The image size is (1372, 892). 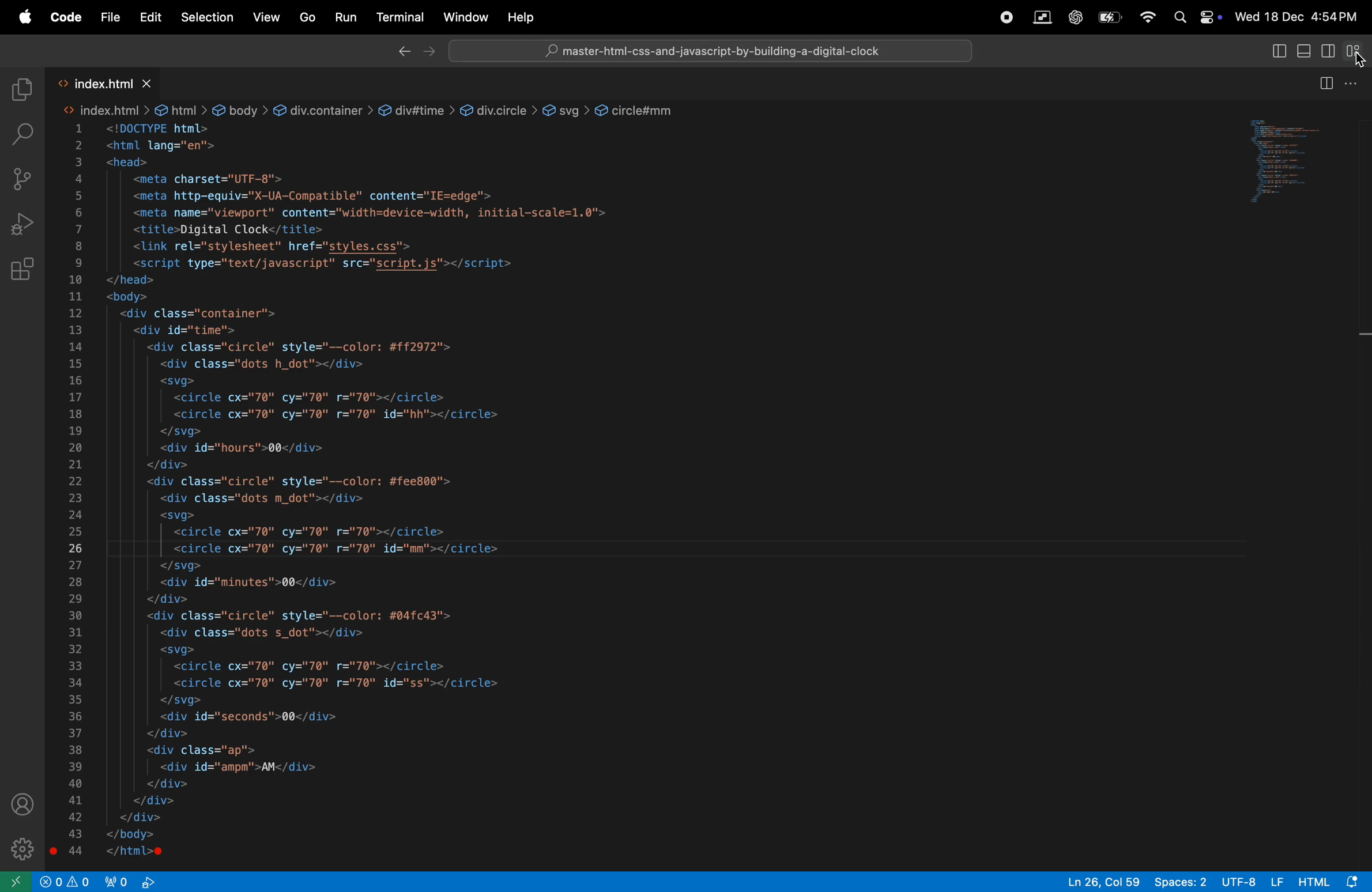 What do you see at coordinates (306, 18) in the screenshot?
I see `Go` at bounding box center [306, 18].